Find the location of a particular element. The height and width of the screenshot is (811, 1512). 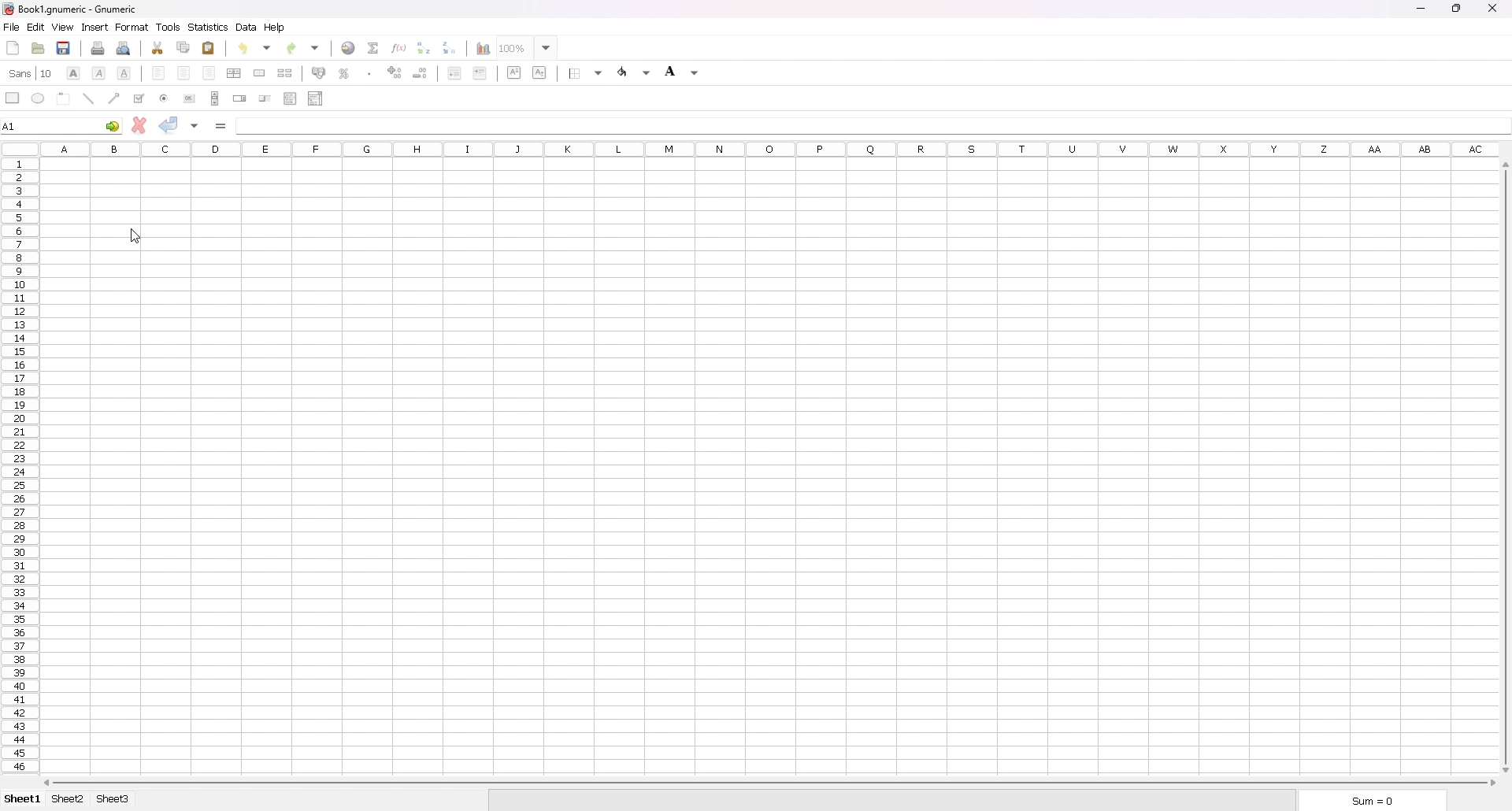

selected cell is located at coordinates (65, 165).